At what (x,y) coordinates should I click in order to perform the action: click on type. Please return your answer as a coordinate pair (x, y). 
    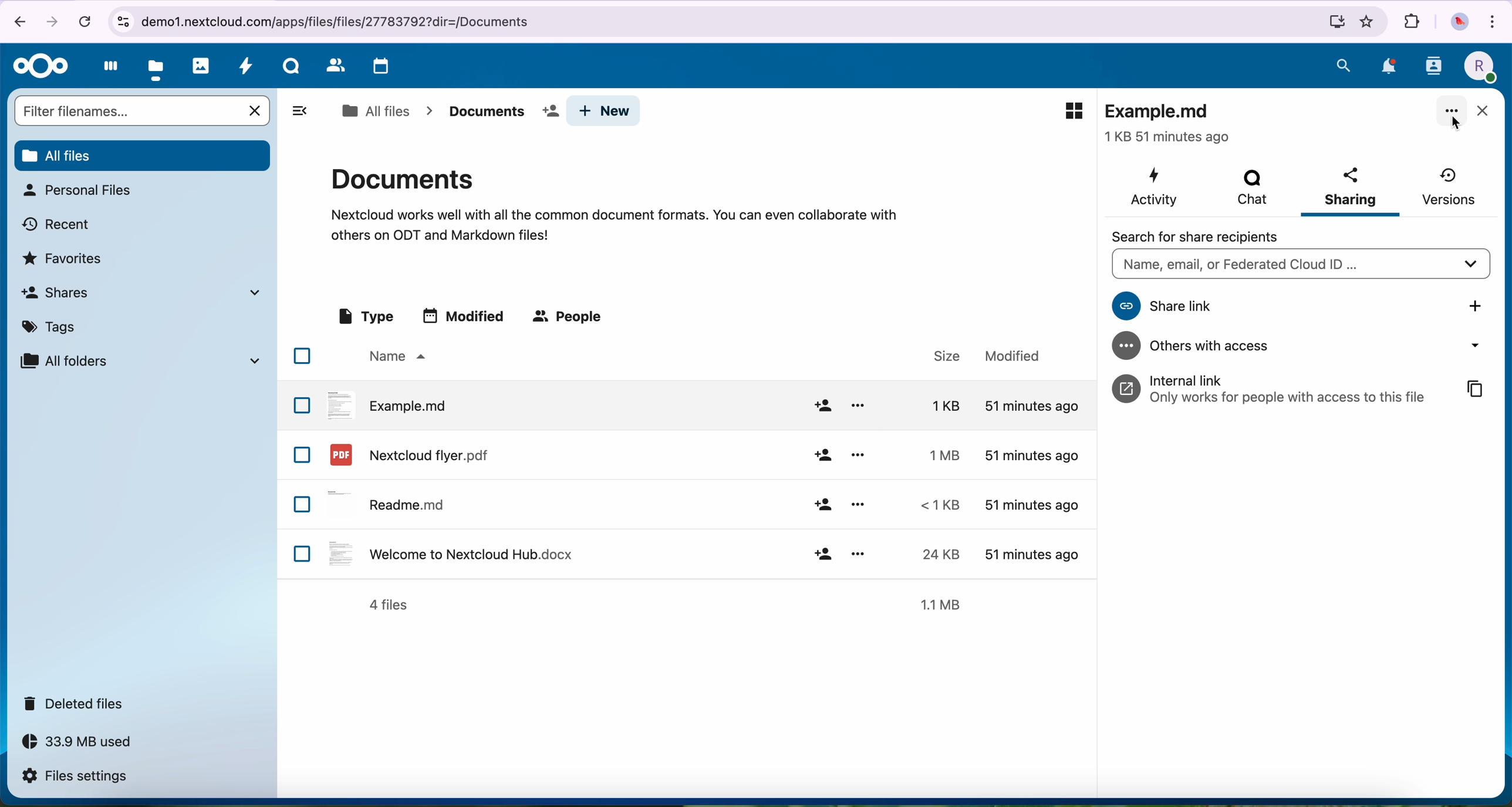
    Looking at the image, I should click on (365, 317).